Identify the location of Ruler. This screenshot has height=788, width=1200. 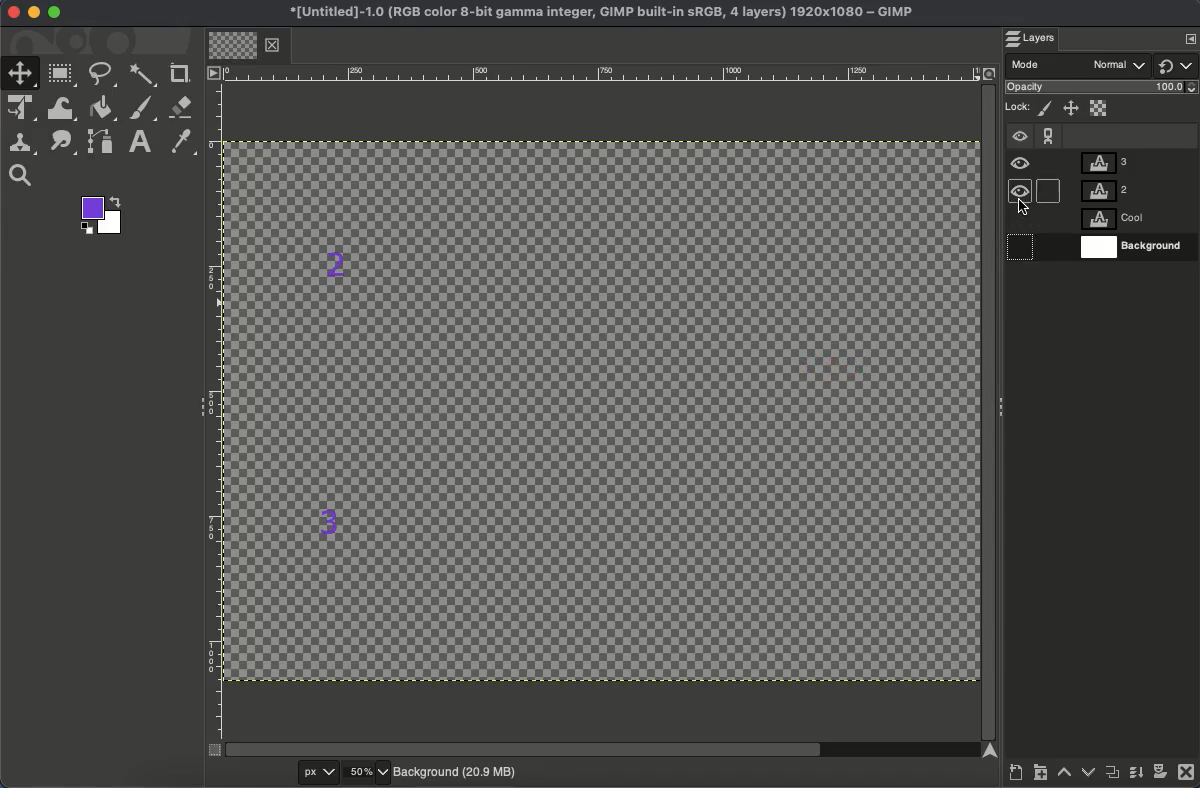
(601, 73).